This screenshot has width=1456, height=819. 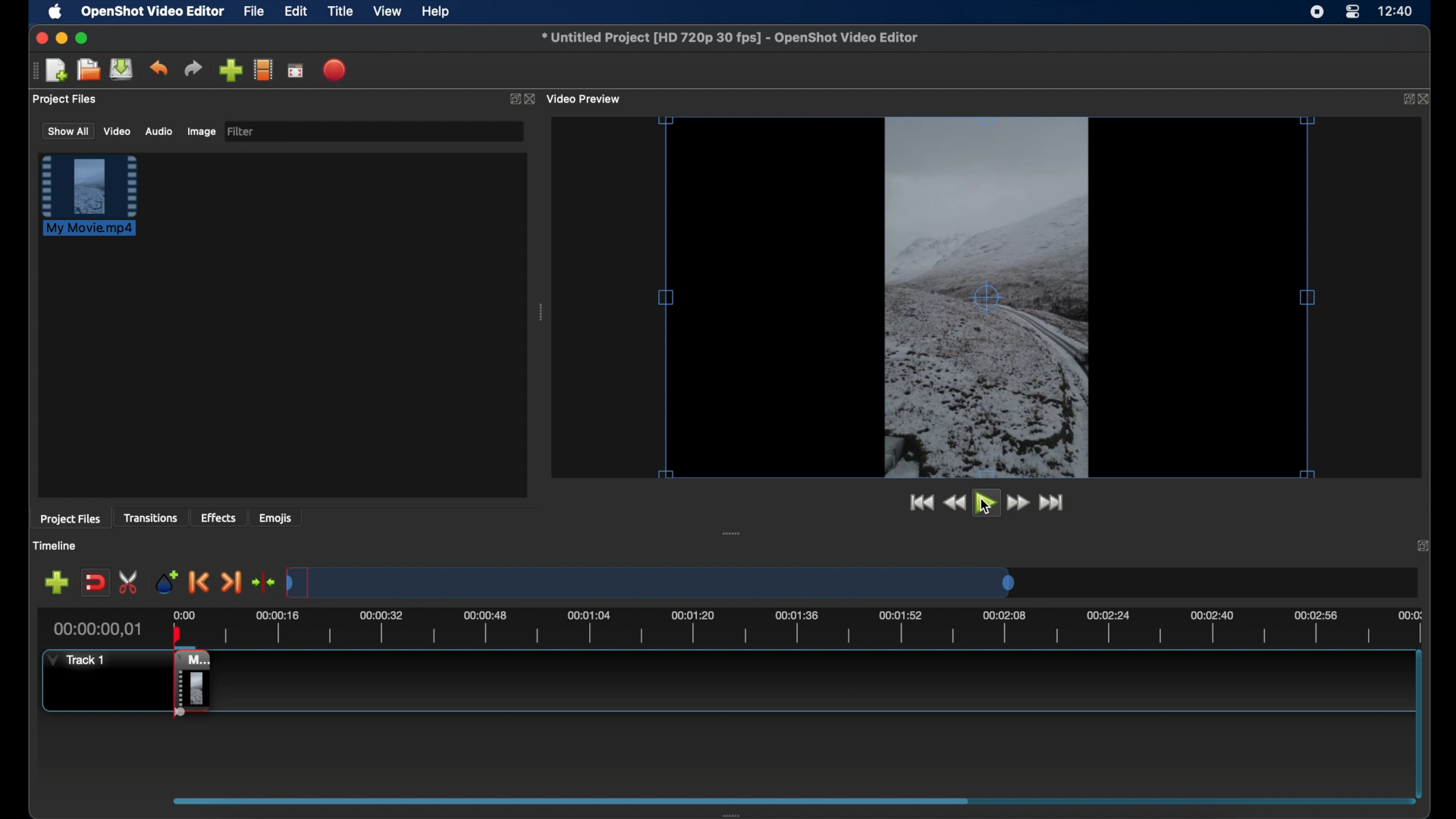 I want to click on file name, so click(x=730, y=37).